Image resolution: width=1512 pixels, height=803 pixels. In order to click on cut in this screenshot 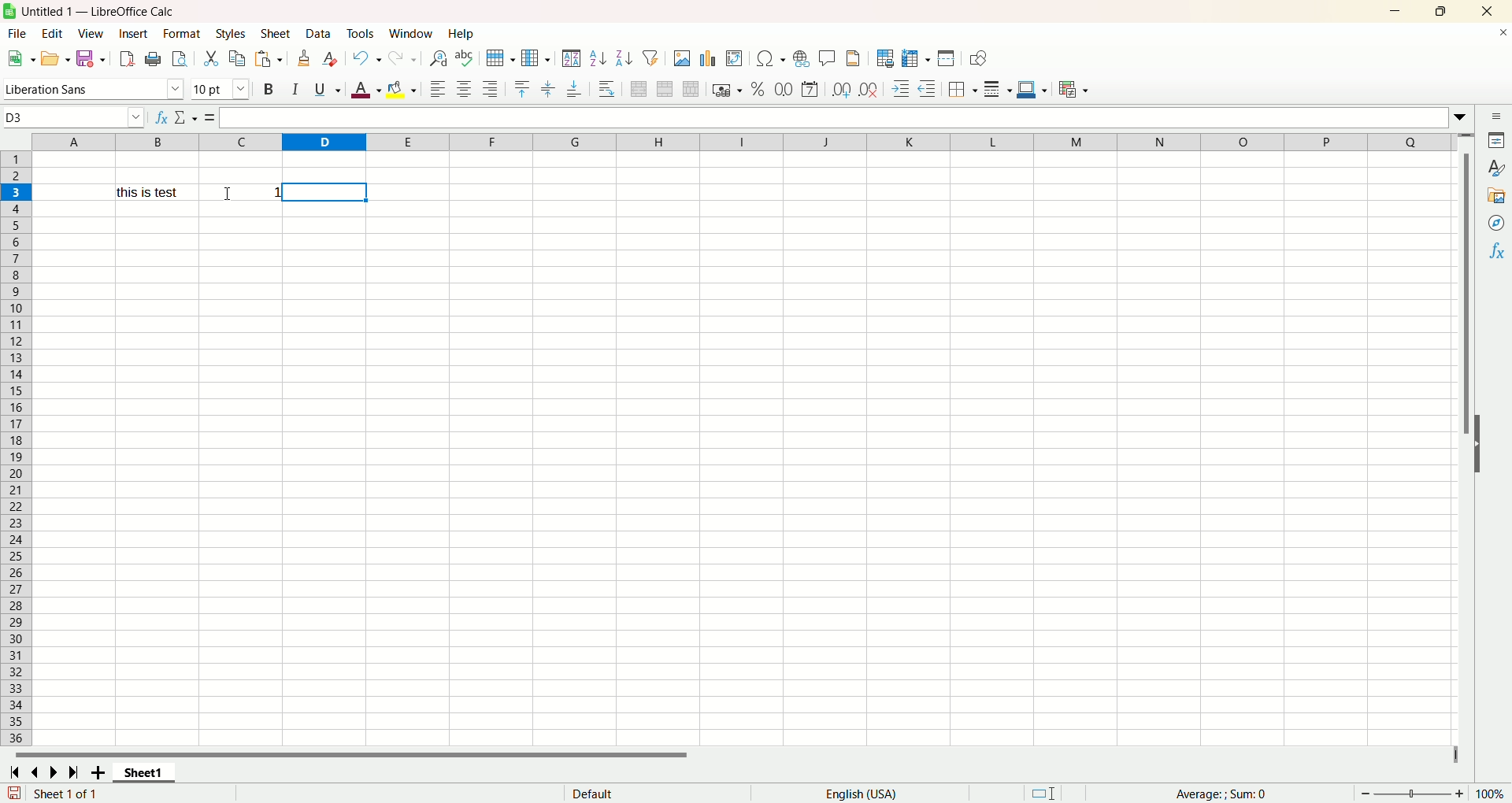, I will do `click(213, 58)`.